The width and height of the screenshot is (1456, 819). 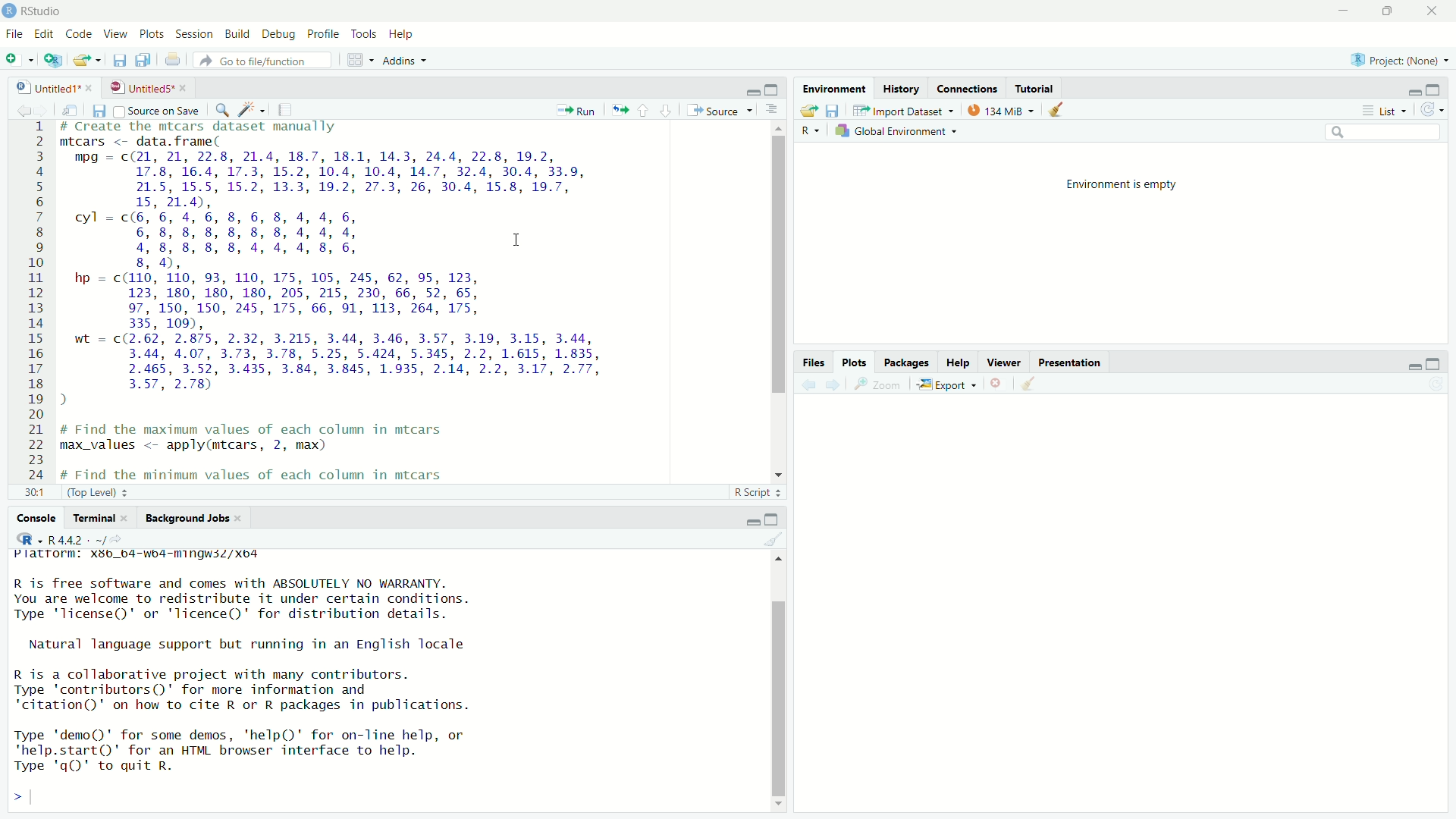 I want to click on scroll bar, so click(x=773, y=681).